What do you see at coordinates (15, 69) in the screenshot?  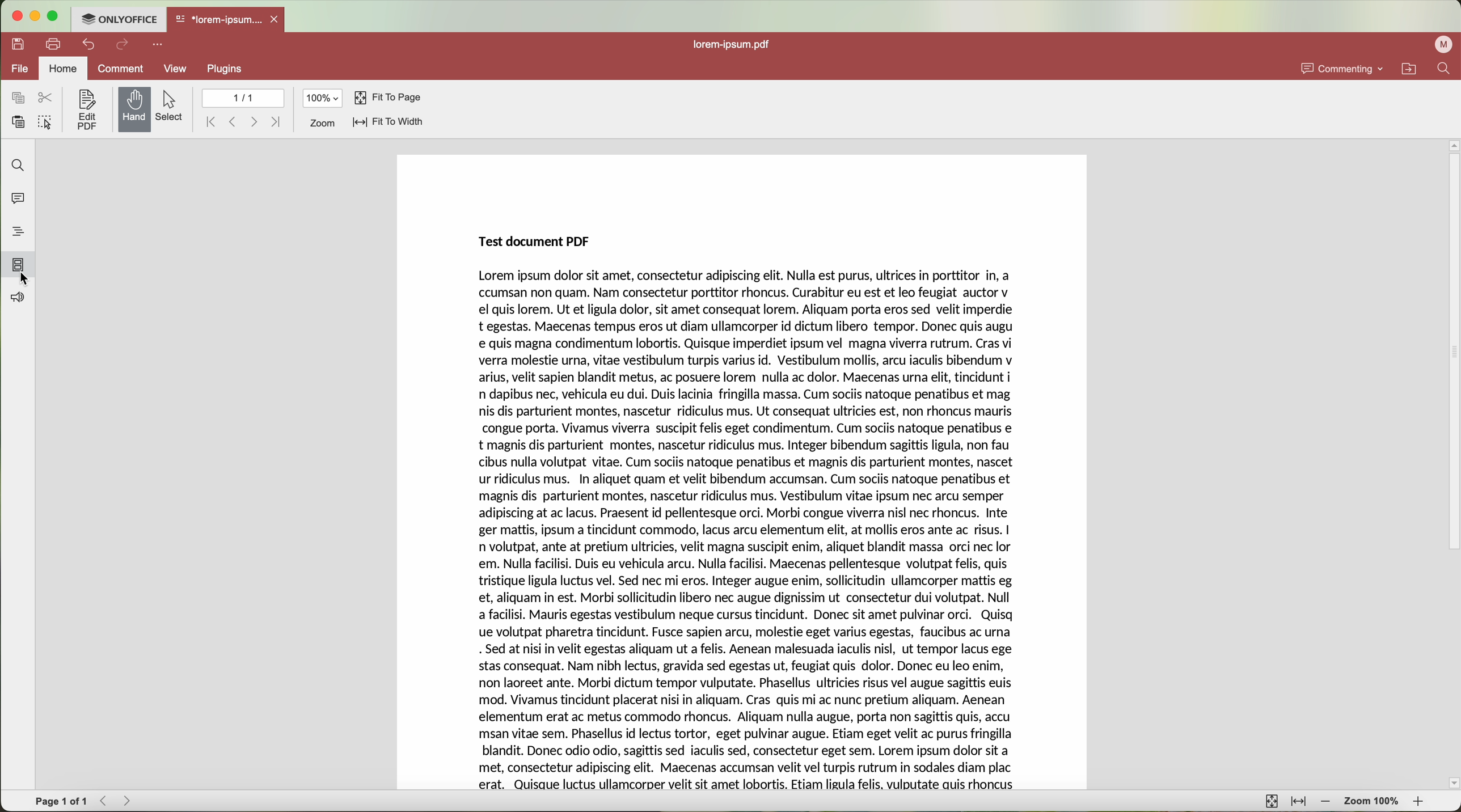 I see `file` at bounding box center [15, 69].